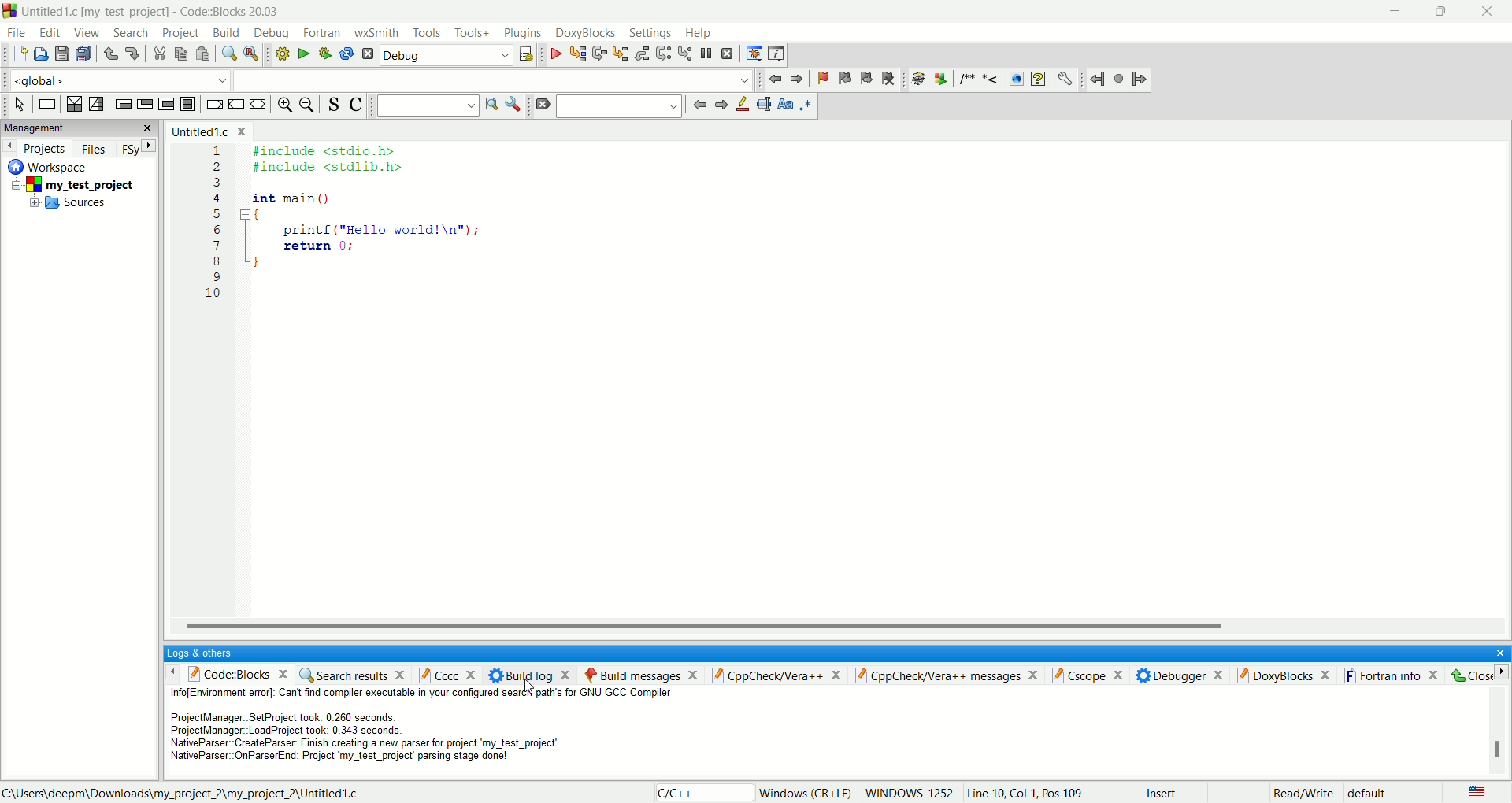 Image resolution: width=1512 pixels, height=803 pixels. Describe the element at coordinates (1287, 674) in the screenshot. I see `doxyblocks` at that location.